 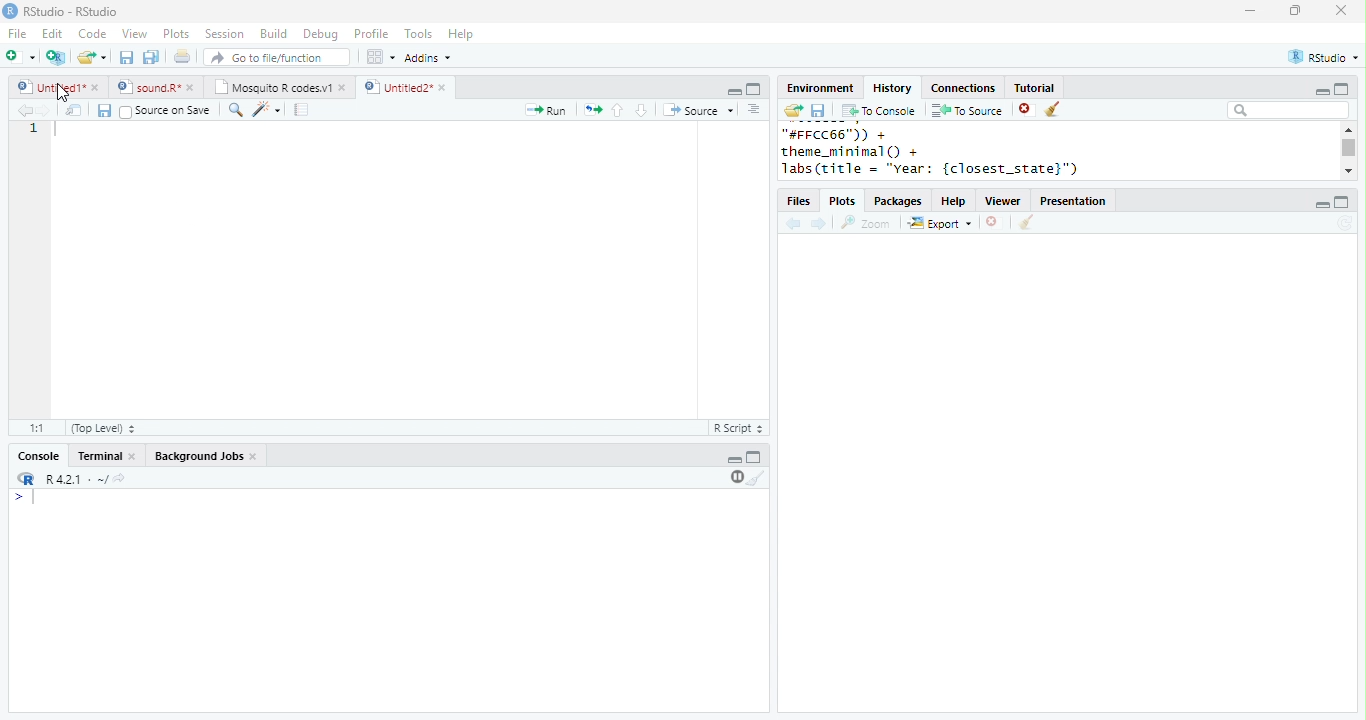 What do you see at coordinates (756, 478) in the screenshot?
I see `clear` at bounding box center [756, 478].